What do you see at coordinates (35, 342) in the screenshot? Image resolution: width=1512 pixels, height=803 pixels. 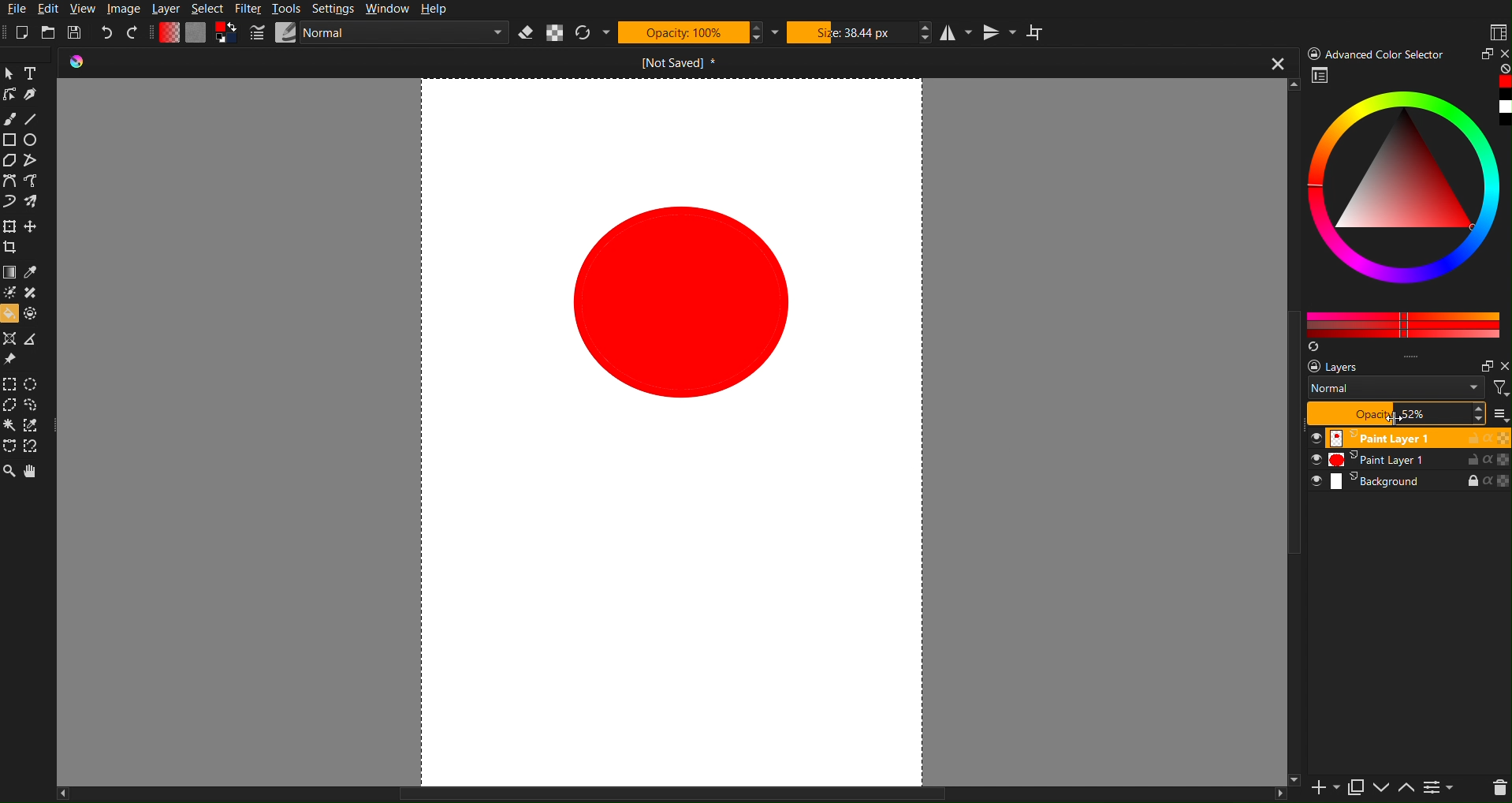 I see `Measure` at bounding box center [35, 342].